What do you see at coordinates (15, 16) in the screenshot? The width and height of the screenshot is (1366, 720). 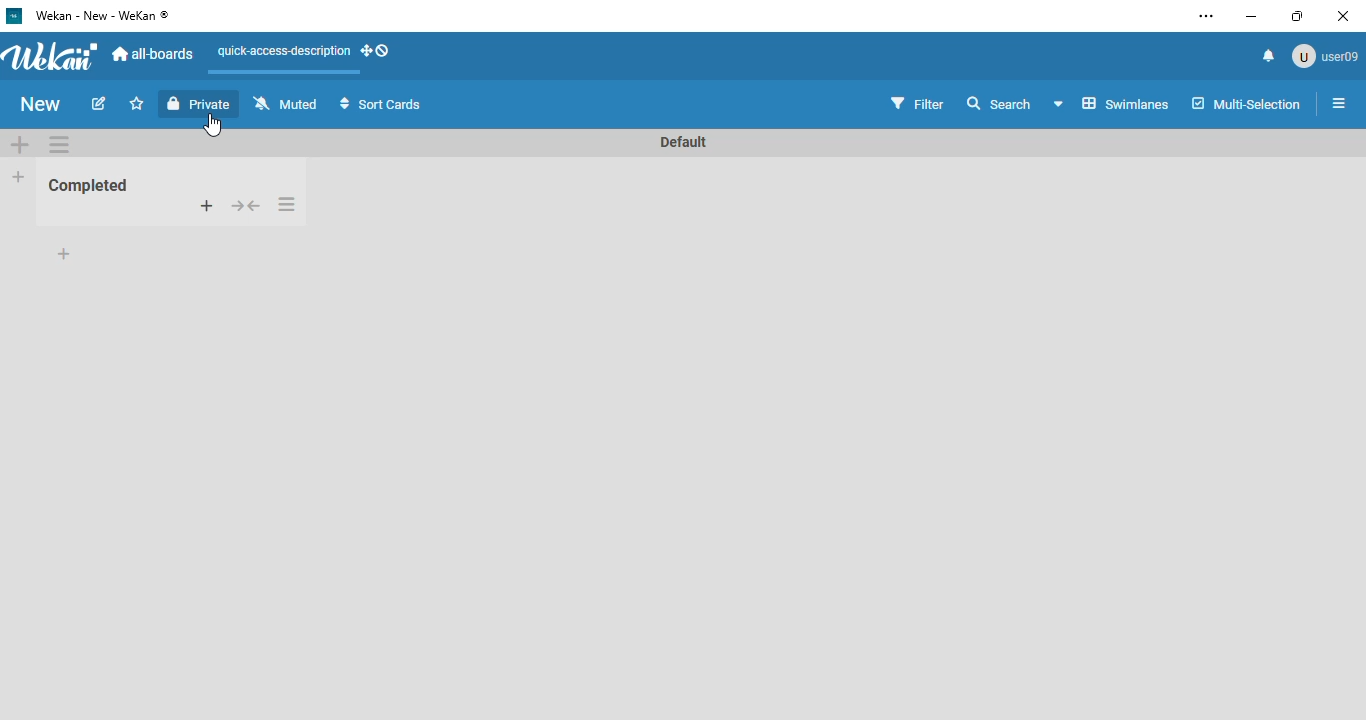 I see `wekan logo` at bounding box center [15, 16].